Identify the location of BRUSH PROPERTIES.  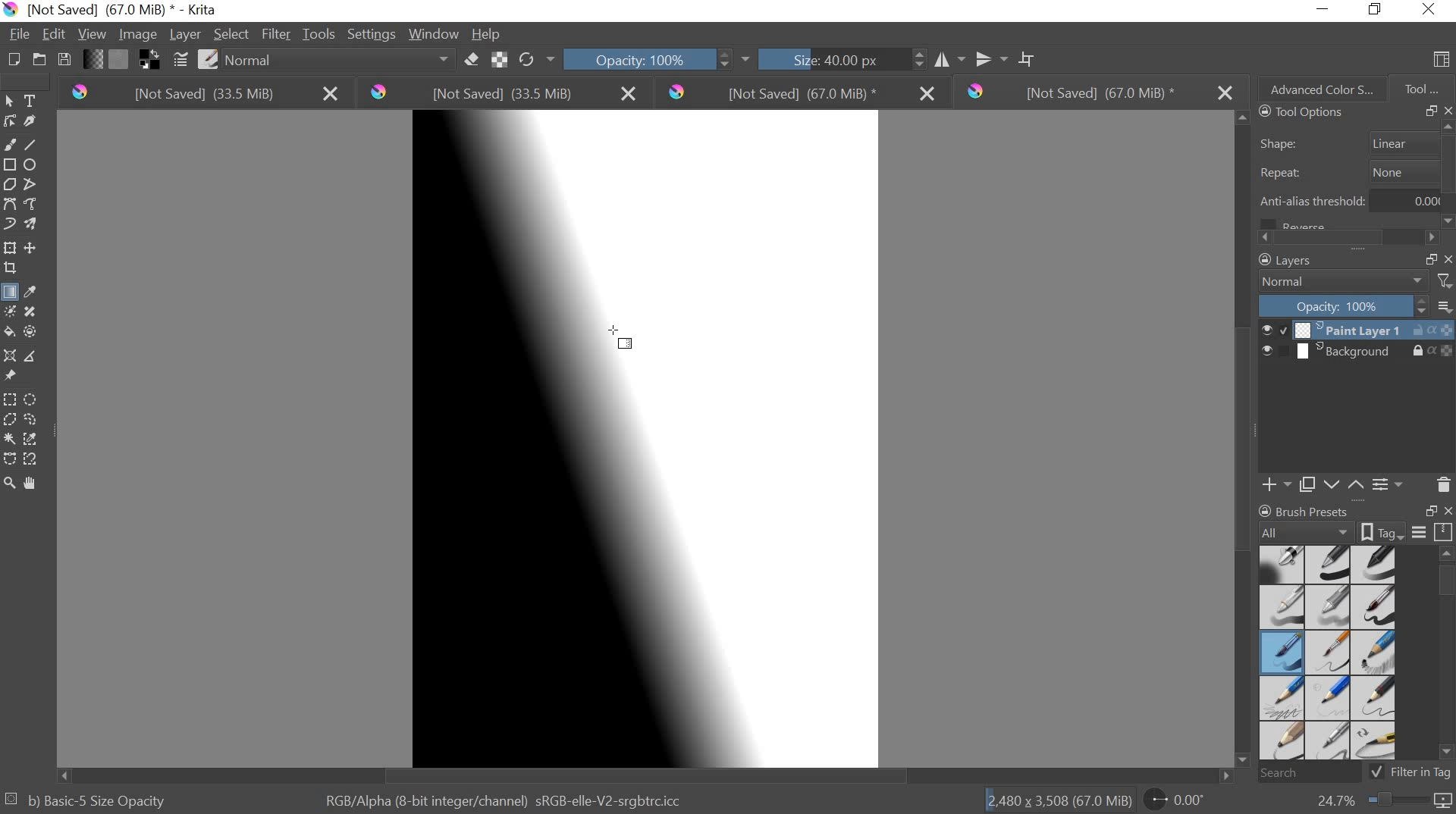
(1354, 532).